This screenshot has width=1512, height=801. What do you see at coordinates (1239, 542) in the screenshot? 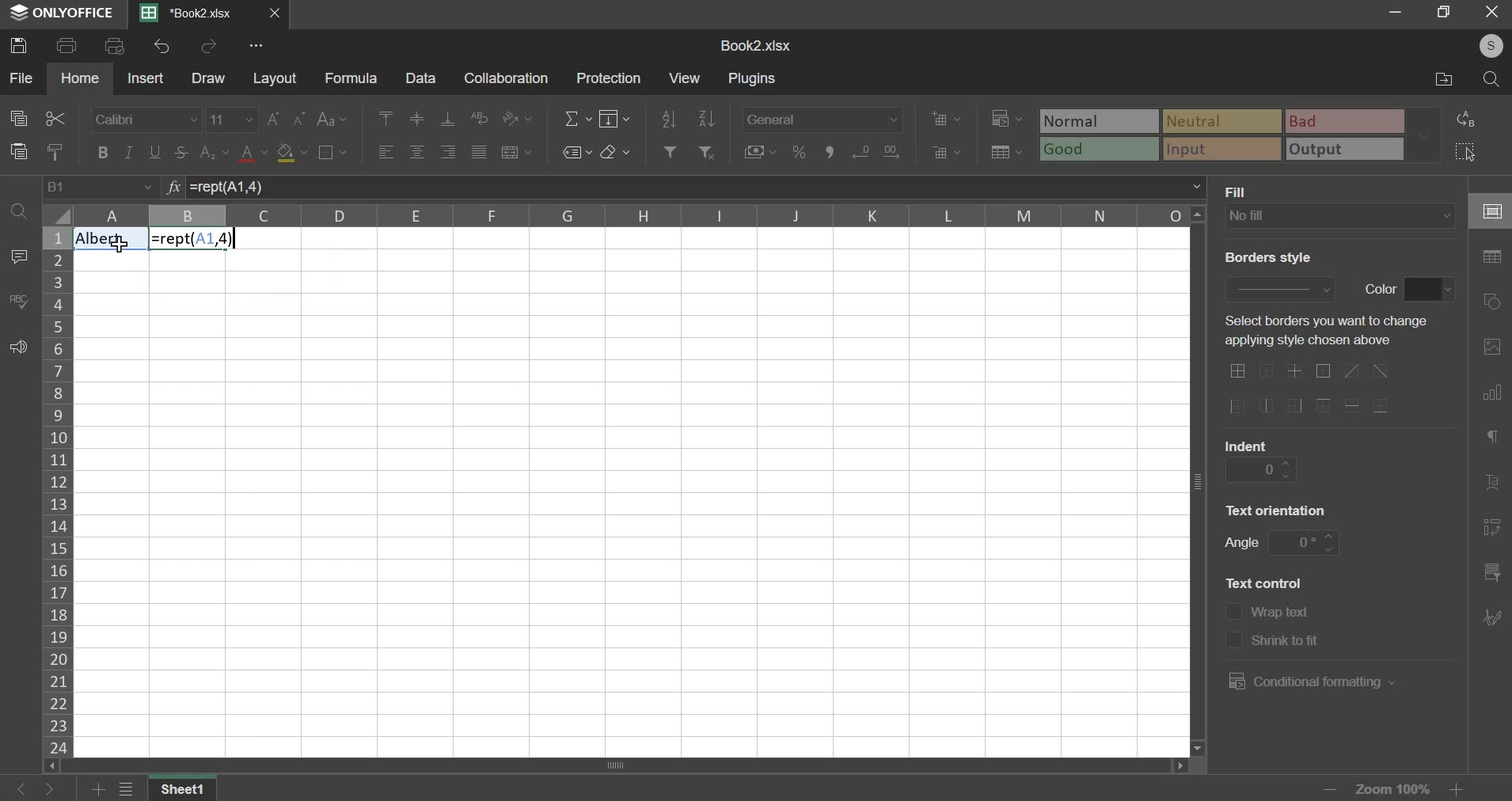
I see `text` at bounding box center [1239, 542].